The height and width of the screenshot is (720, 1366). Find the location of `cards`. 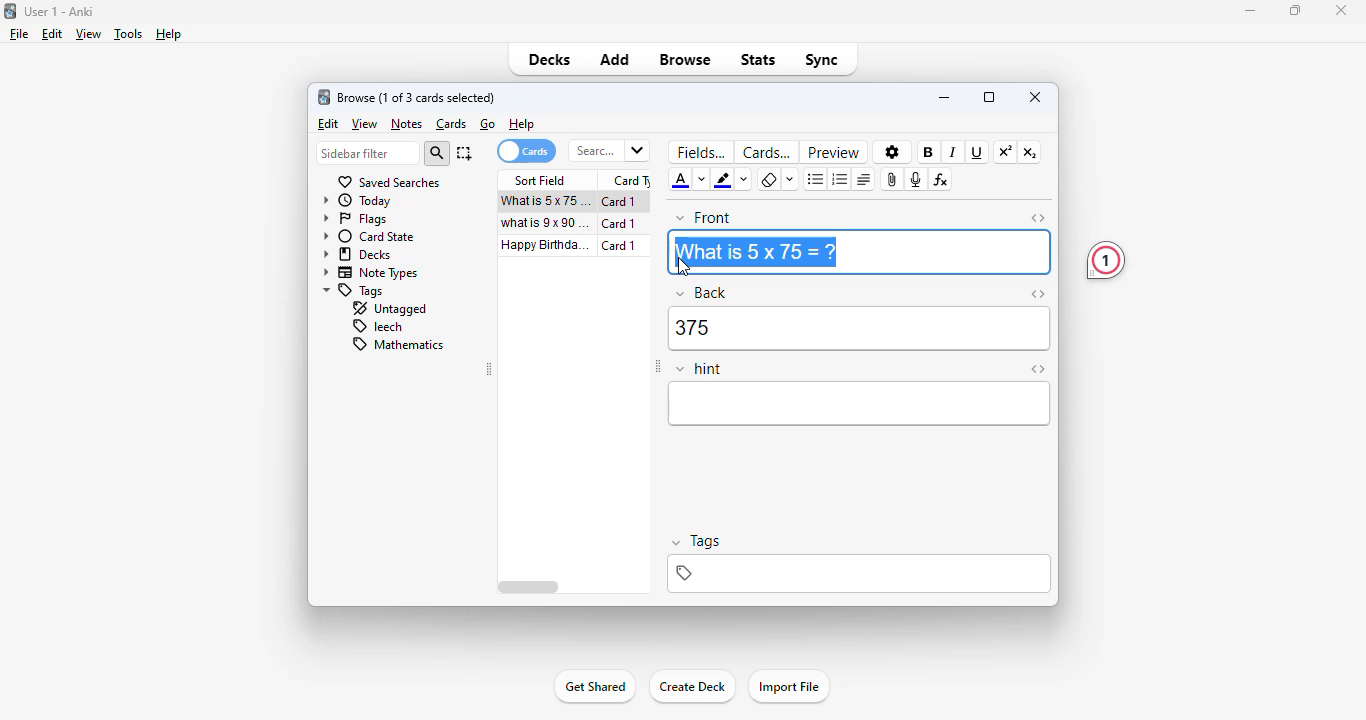

cards is located at coordinates (451, 125).